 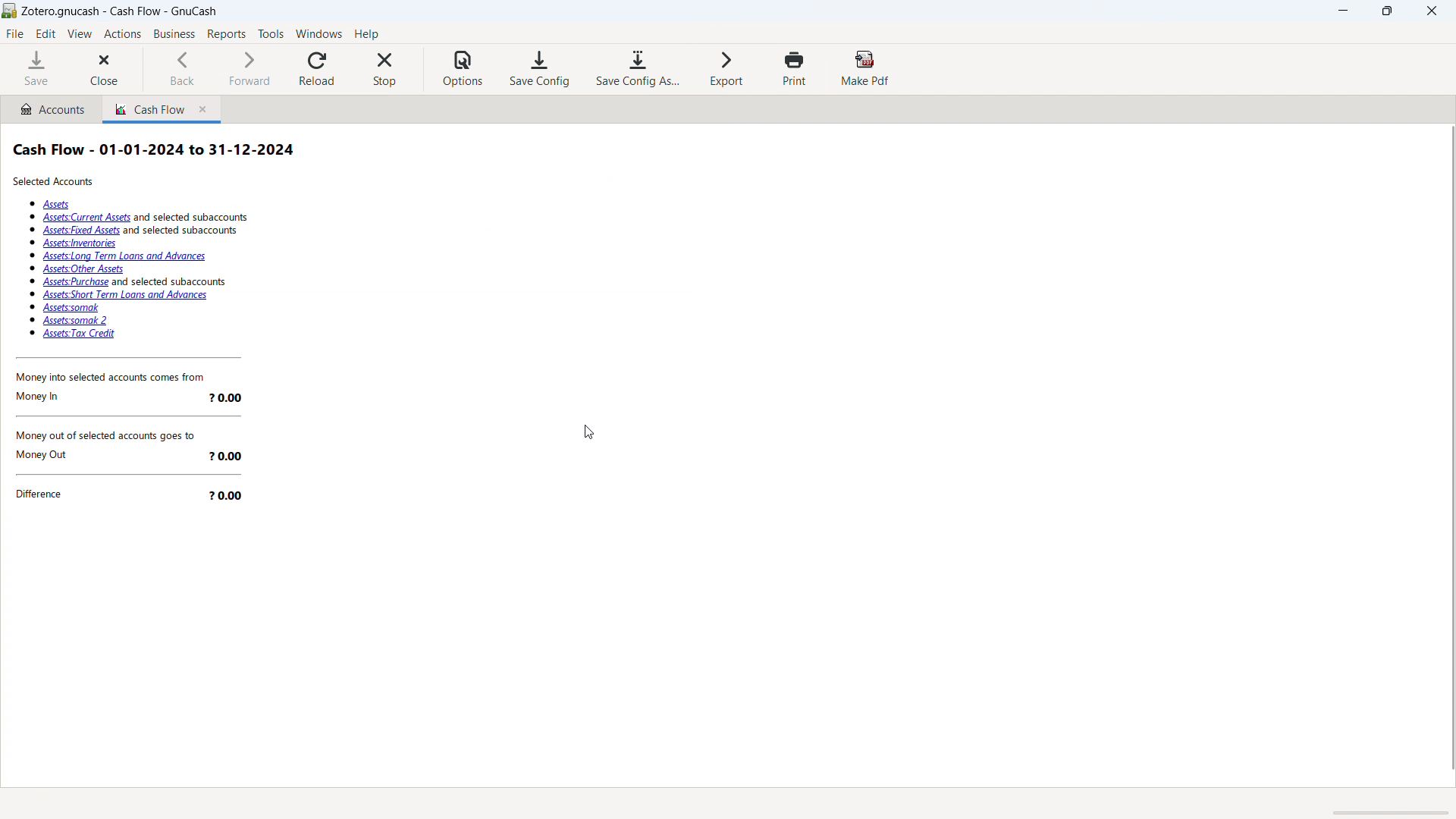 What do you see at coordinates (56, 205) in the screenshot?
I see `assets` at bounding box center [56, 205].